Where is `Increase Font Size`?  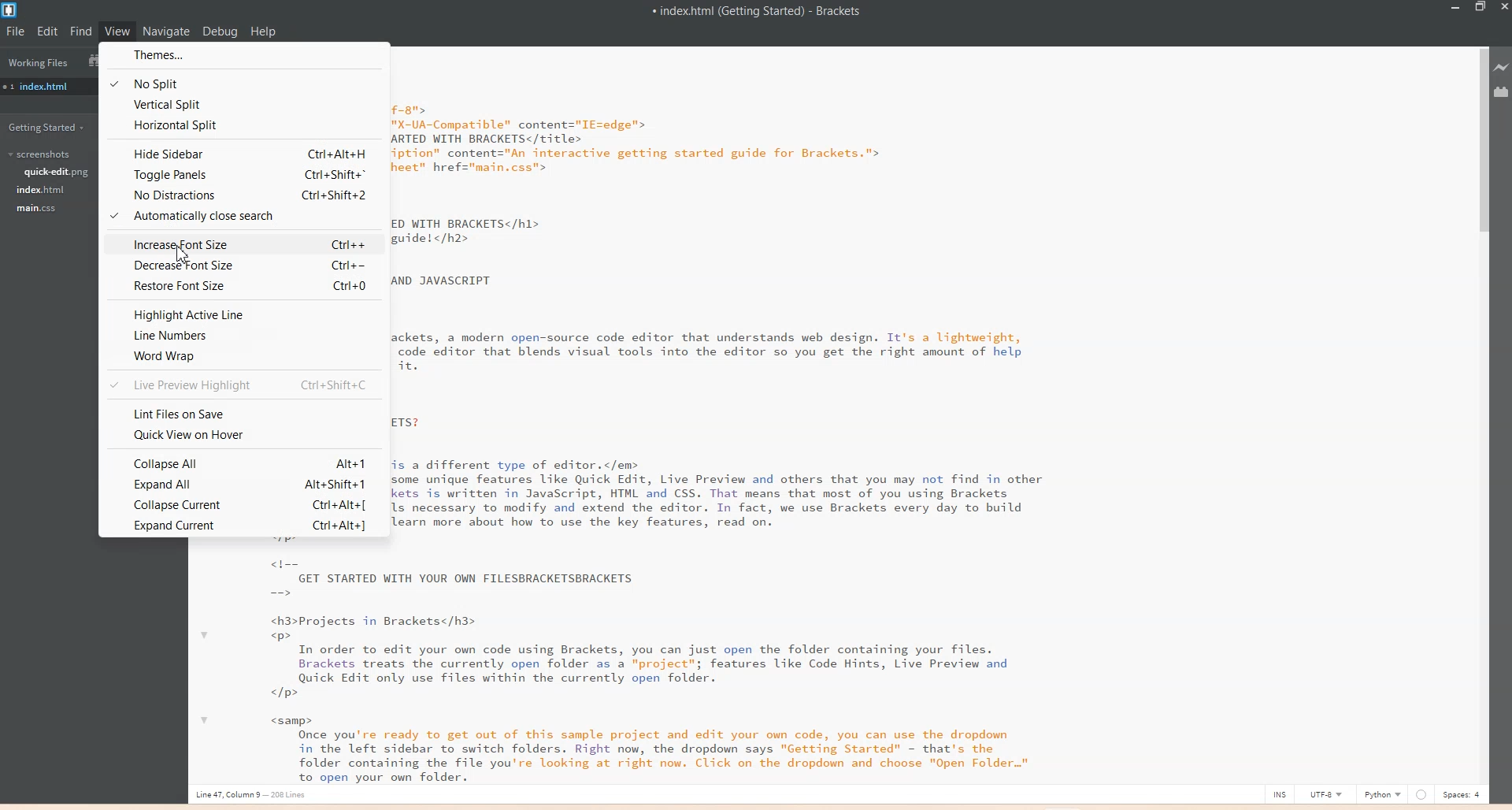 Increase Font Size is located at coordinates (241, 244).